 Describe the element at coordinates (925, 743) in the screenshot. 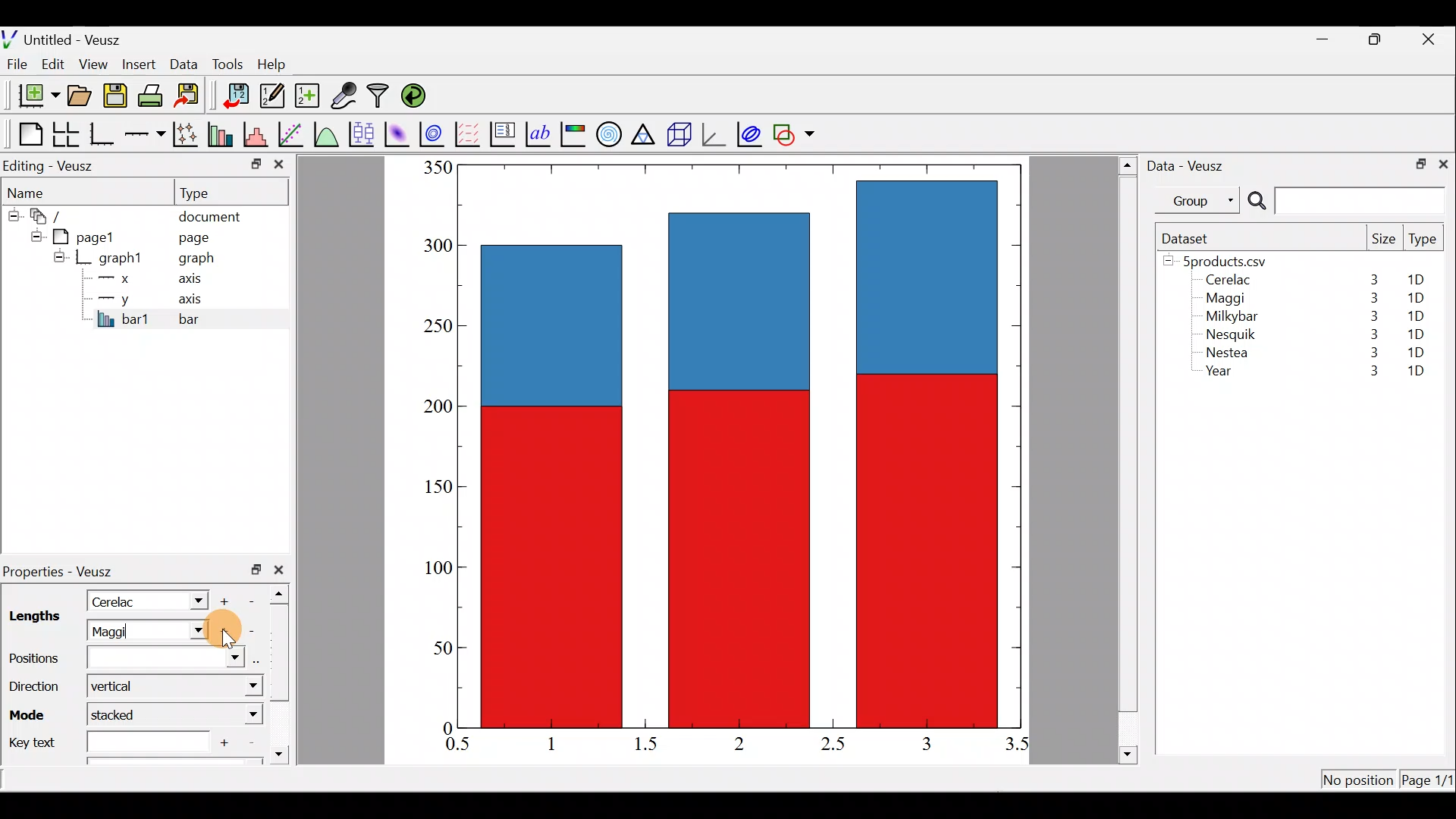

I see `3` at that location.